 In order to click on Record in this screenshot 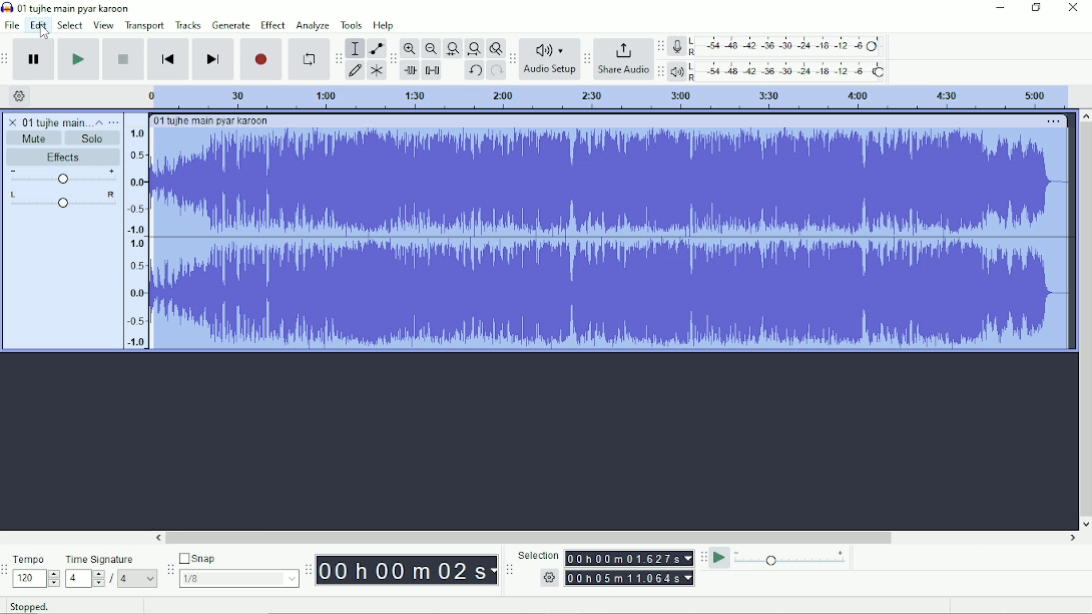, I will do `click(261, 59)`.